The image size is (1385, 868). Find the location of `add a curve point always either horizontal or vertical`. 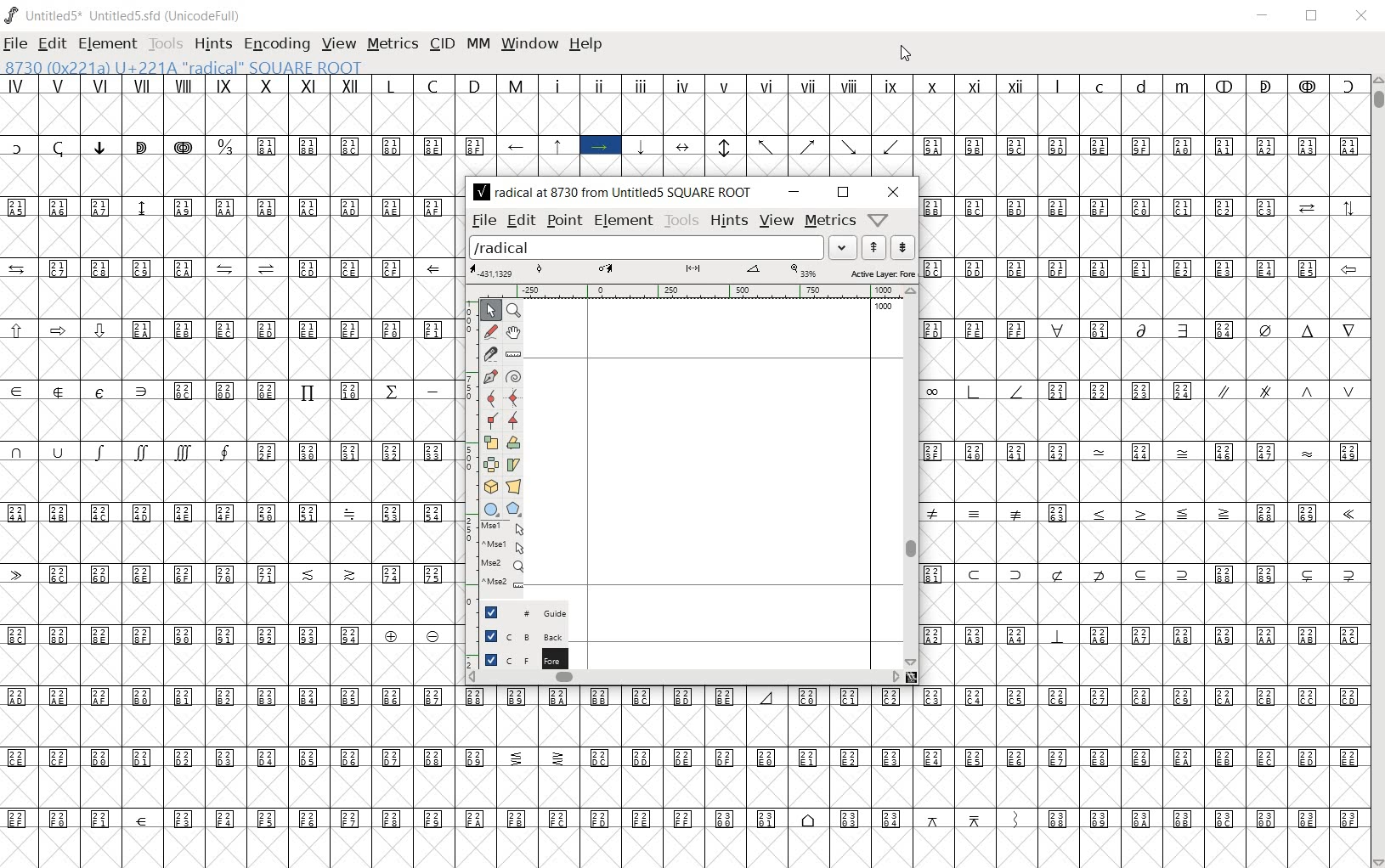

add a curve point always either horizontal or vertical is located at coordinates (511, 397).